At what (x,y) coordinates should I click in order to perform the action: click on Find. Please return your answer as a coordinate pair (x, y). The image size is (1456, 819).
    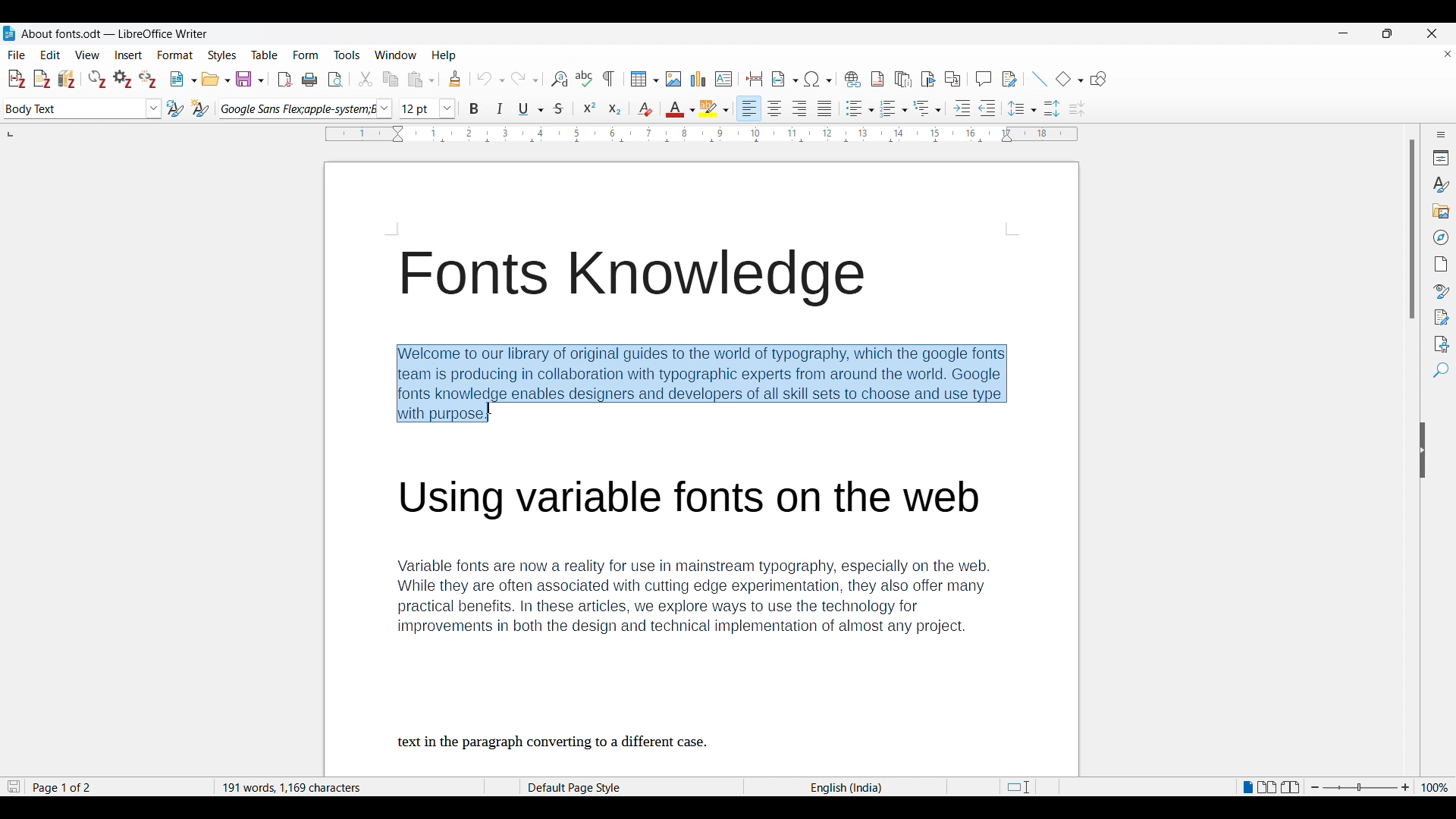
    Looking at the image, I should click on (1442, 370).